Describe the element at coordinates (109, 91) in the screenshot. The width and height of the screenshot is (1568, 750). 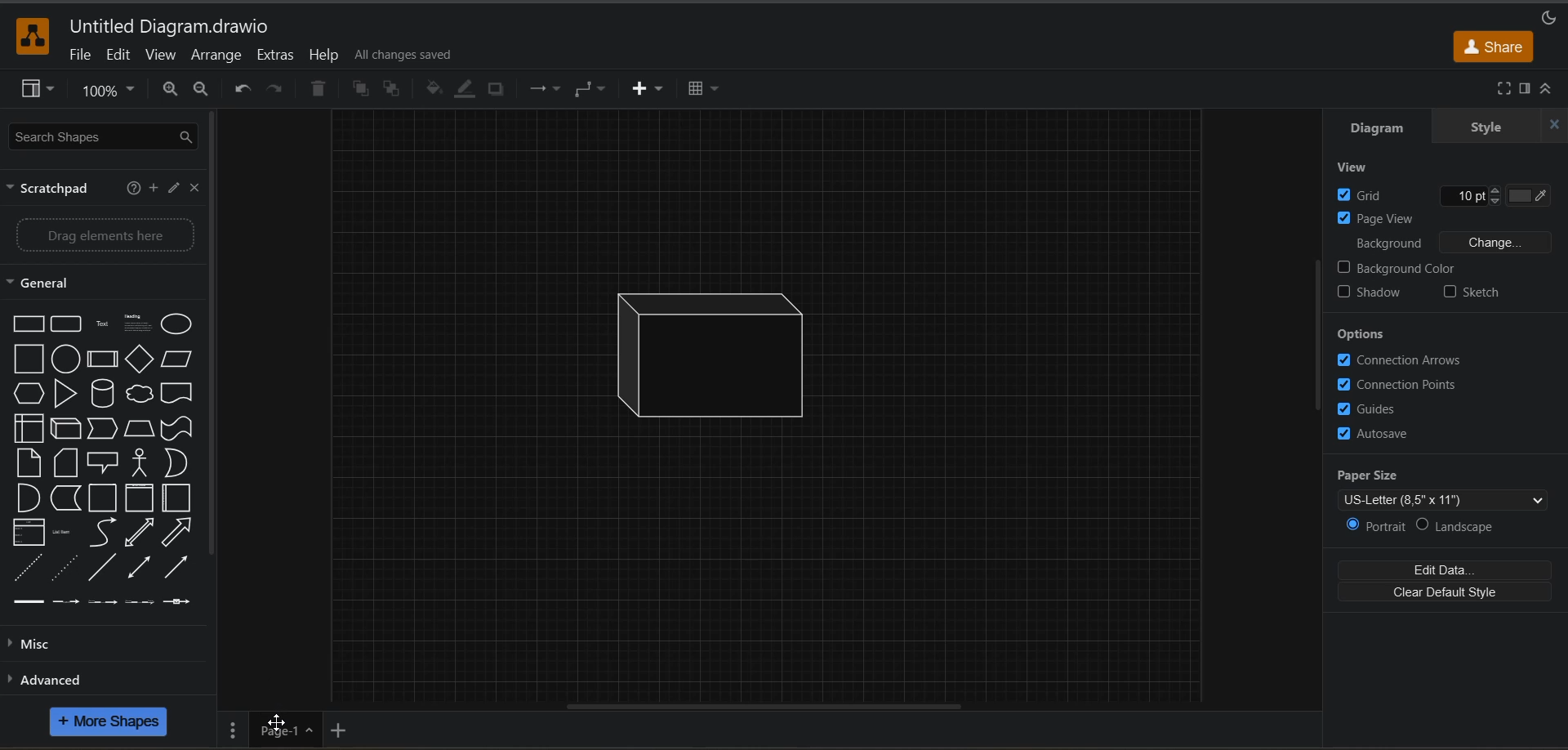
I see `zoom` at that location.